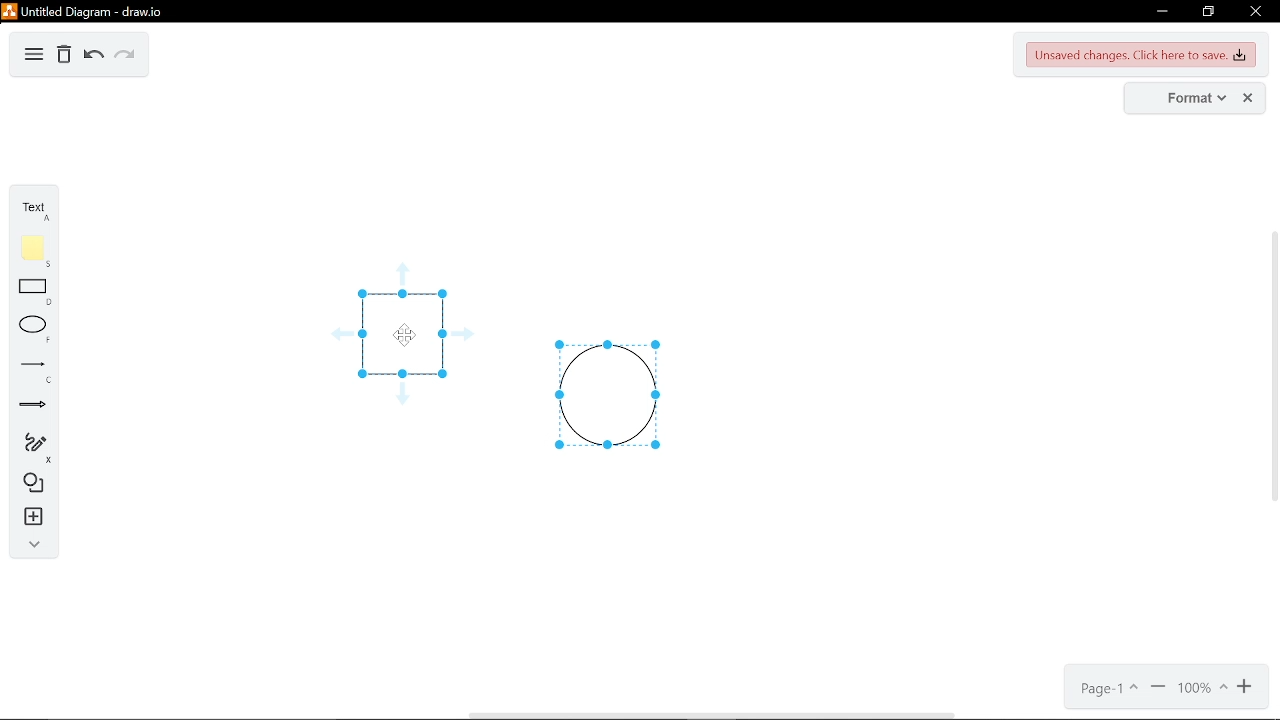 The height and width of the screenshot is (720, 1280). Describe the element at coordinates (1272, 367) in the screenshot. I see `vertical scrollbar` at that location.